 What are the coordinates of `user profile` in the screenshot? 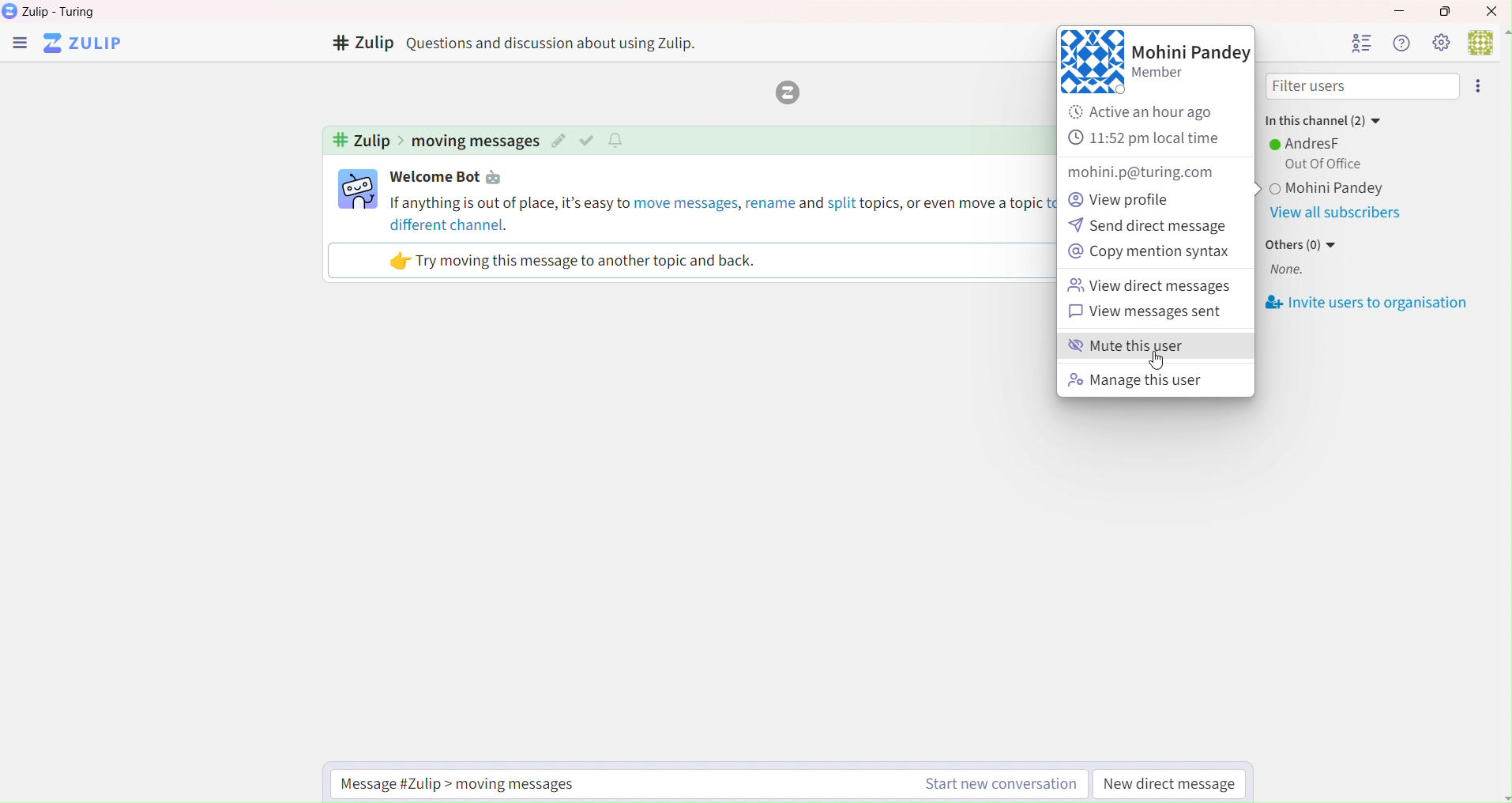 It's located at (359, 189).